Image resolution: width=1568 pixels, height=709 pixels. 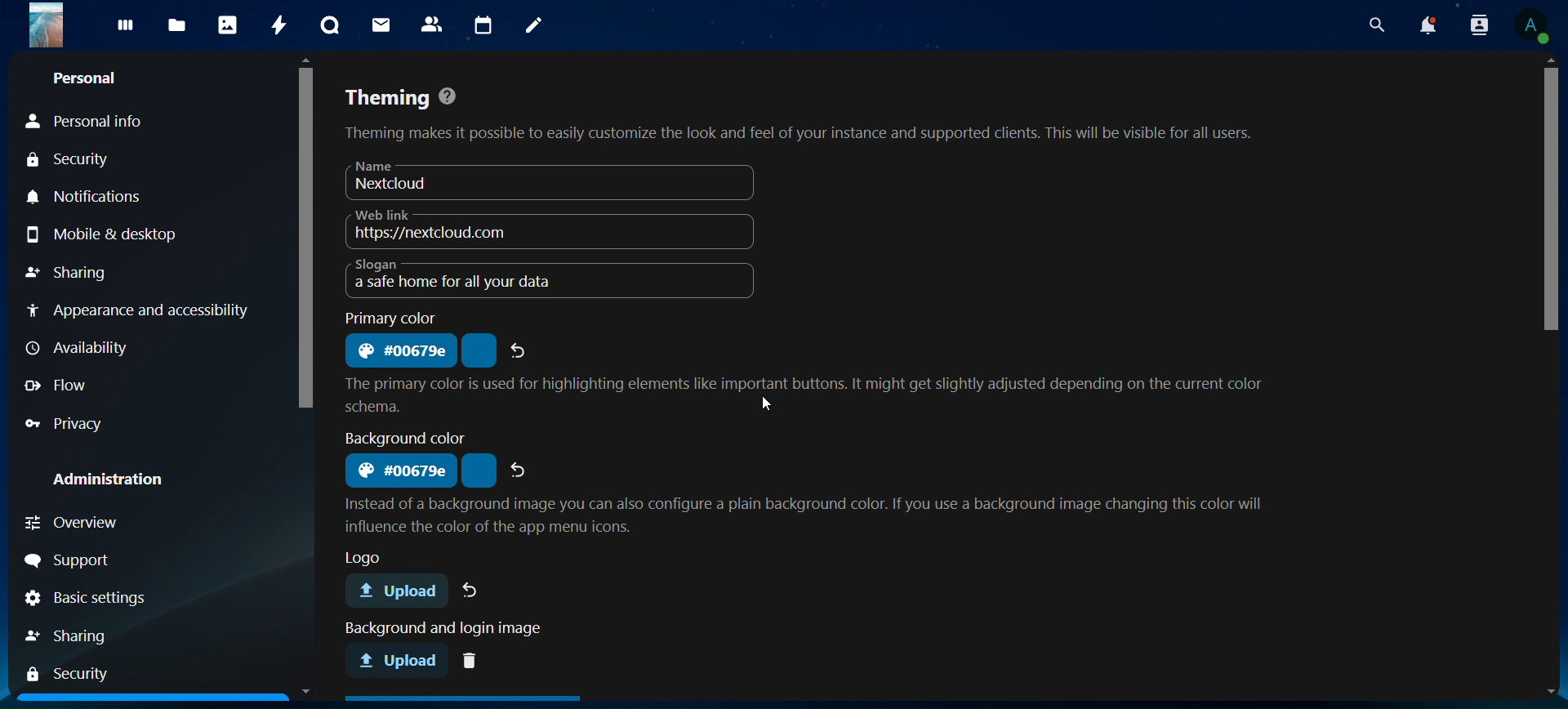 I want to click on administration, so click(x=120, y=474).